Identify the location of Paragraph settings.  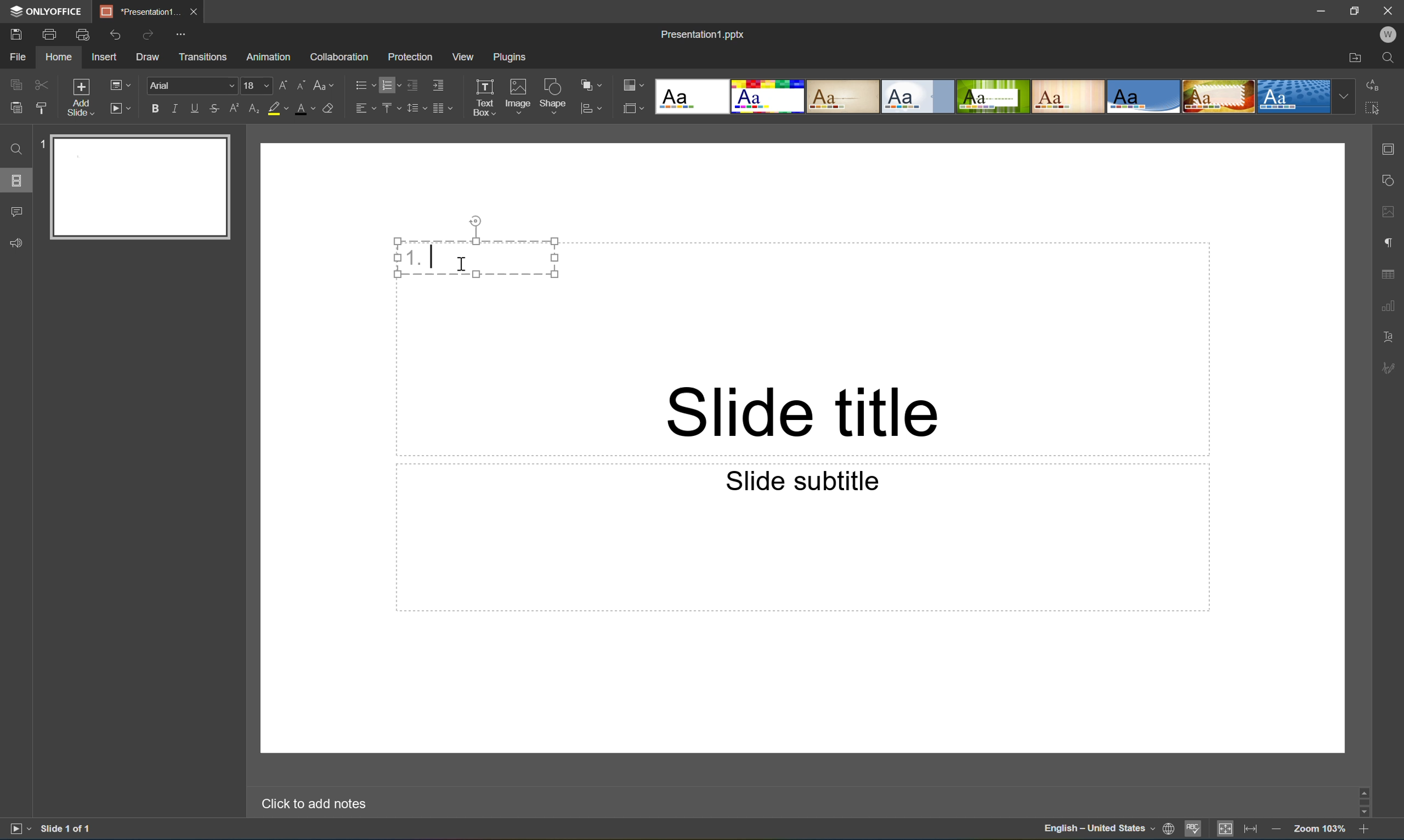
(1393, 240).